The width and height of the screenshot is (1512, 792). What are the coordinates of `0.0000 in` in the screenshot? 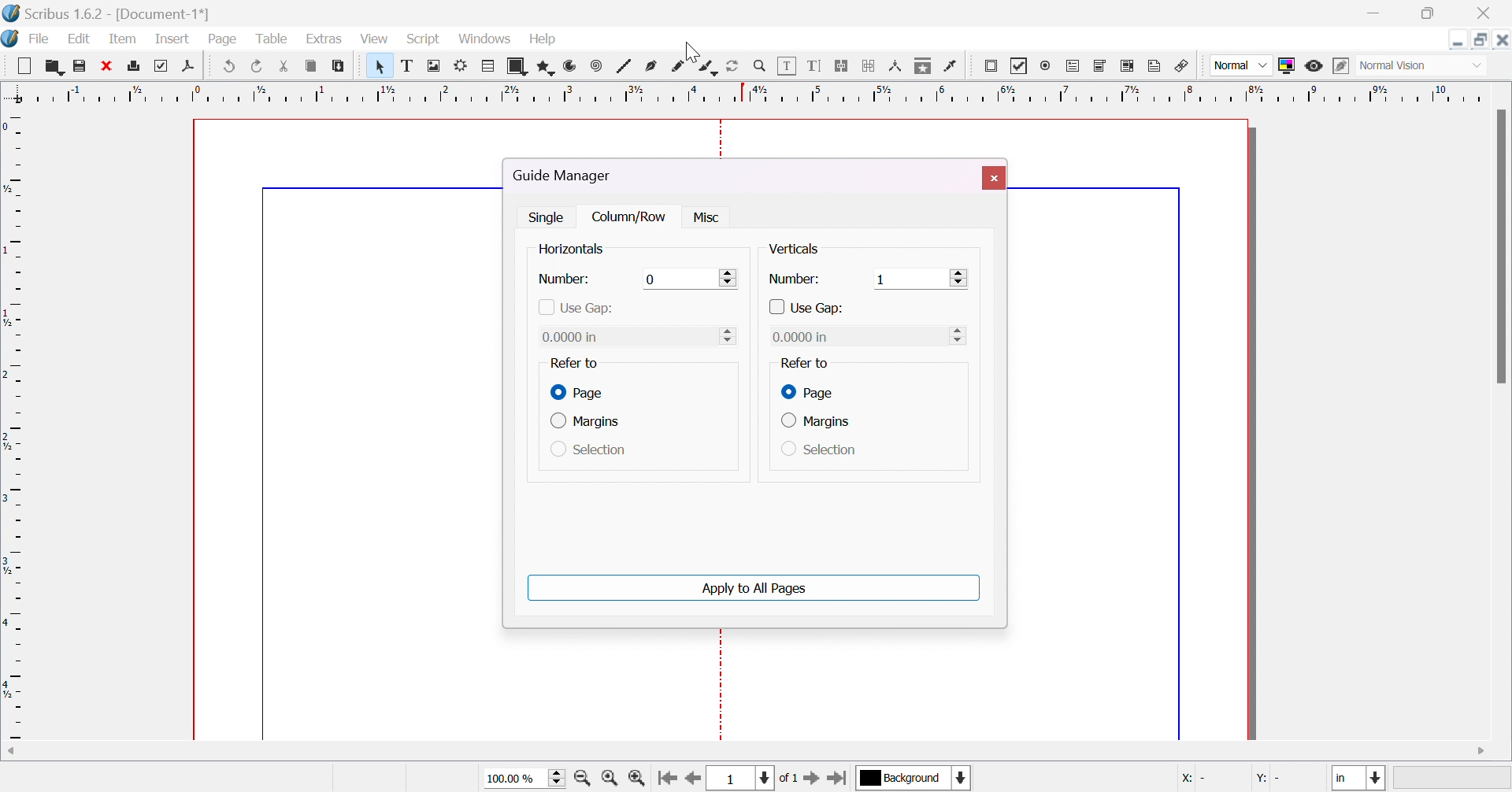 It's located at (802, 336).